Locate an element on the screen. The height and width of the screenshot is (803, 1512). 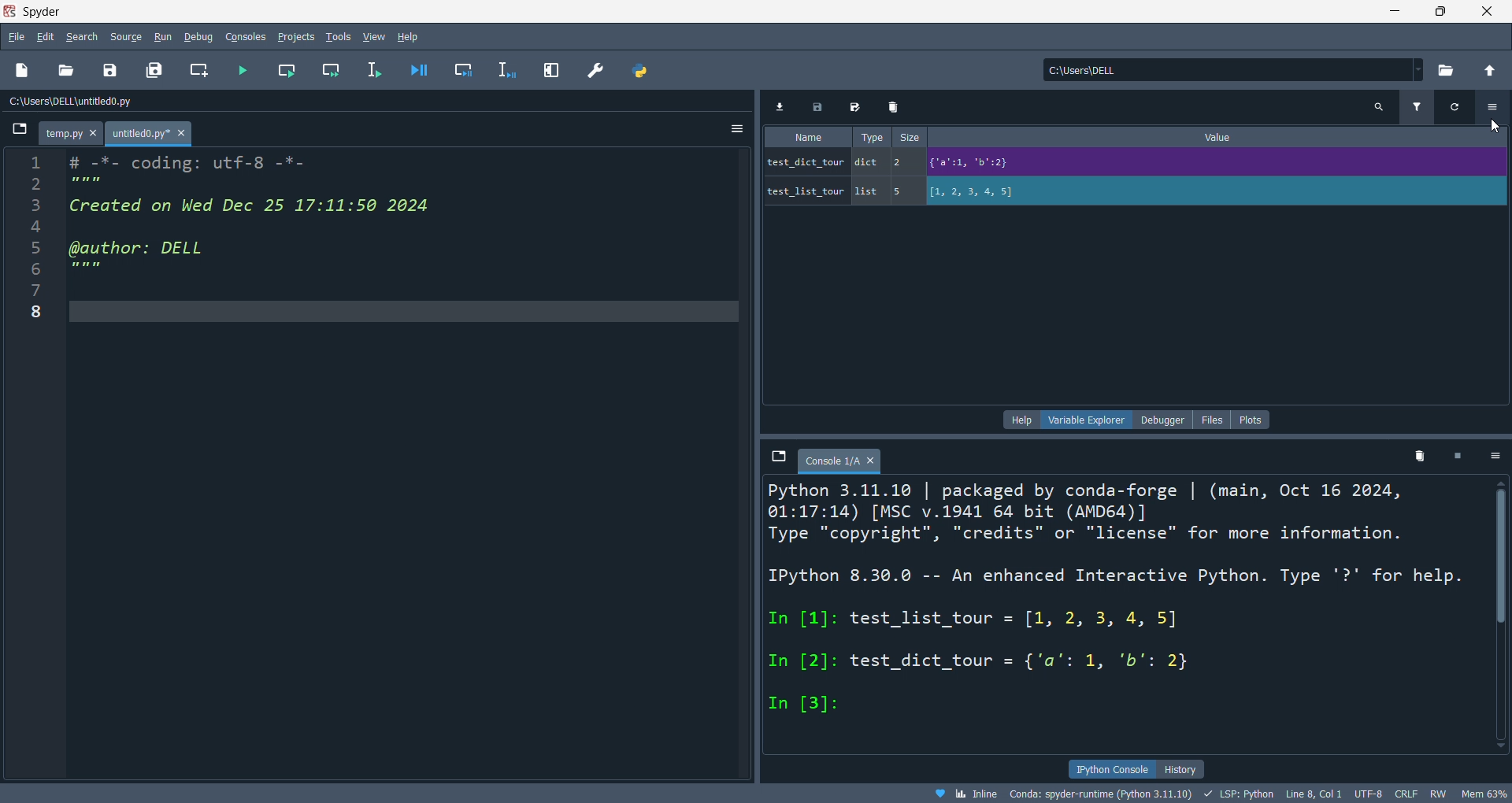
plots is located at coordinates (1251, 417).